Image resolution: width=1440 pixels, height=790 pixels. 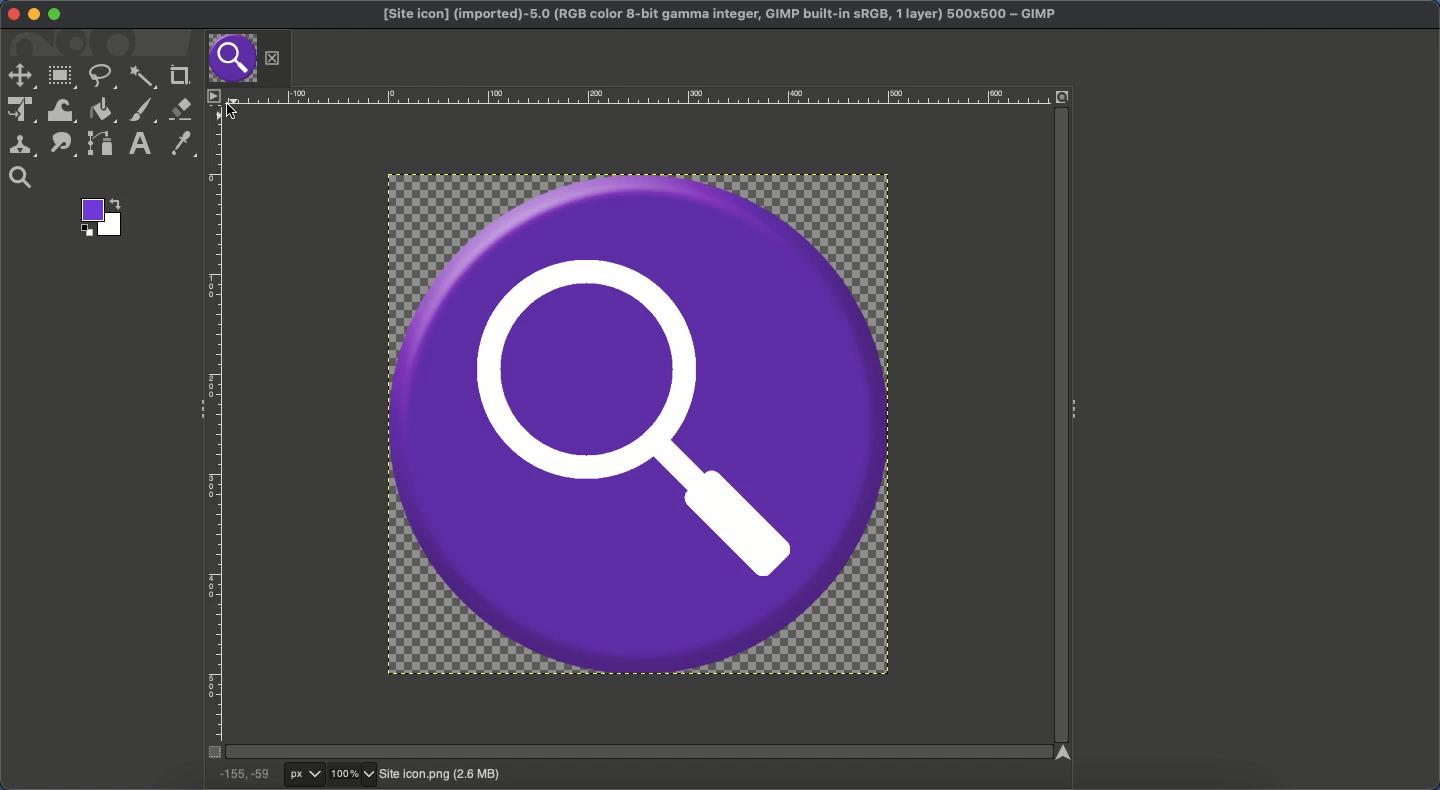 I want to click on Collapse, so click(x=1077, y=406).